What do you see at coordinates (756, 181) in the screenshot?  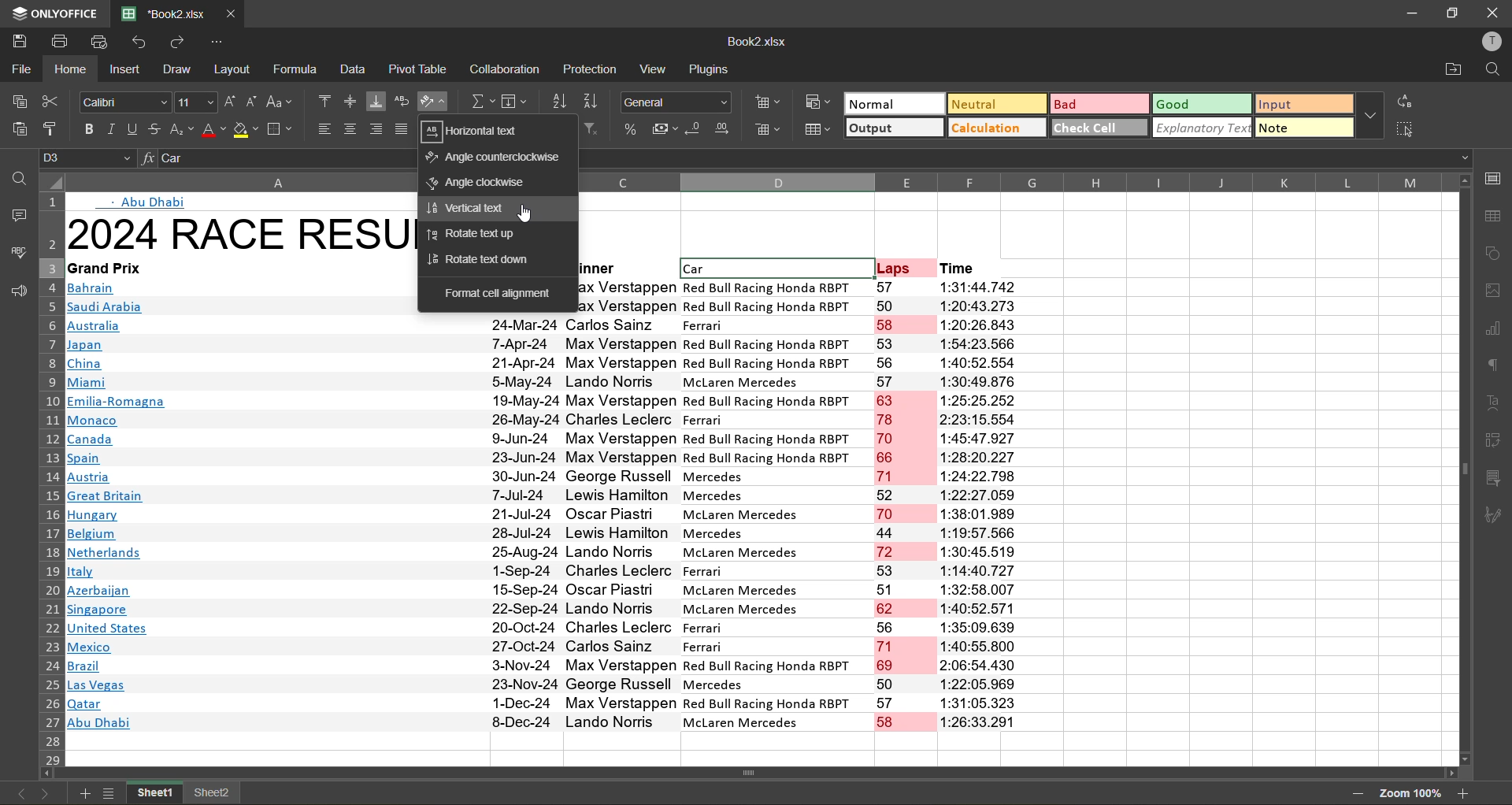 I see `column names ` at bounding box center [756, 181].